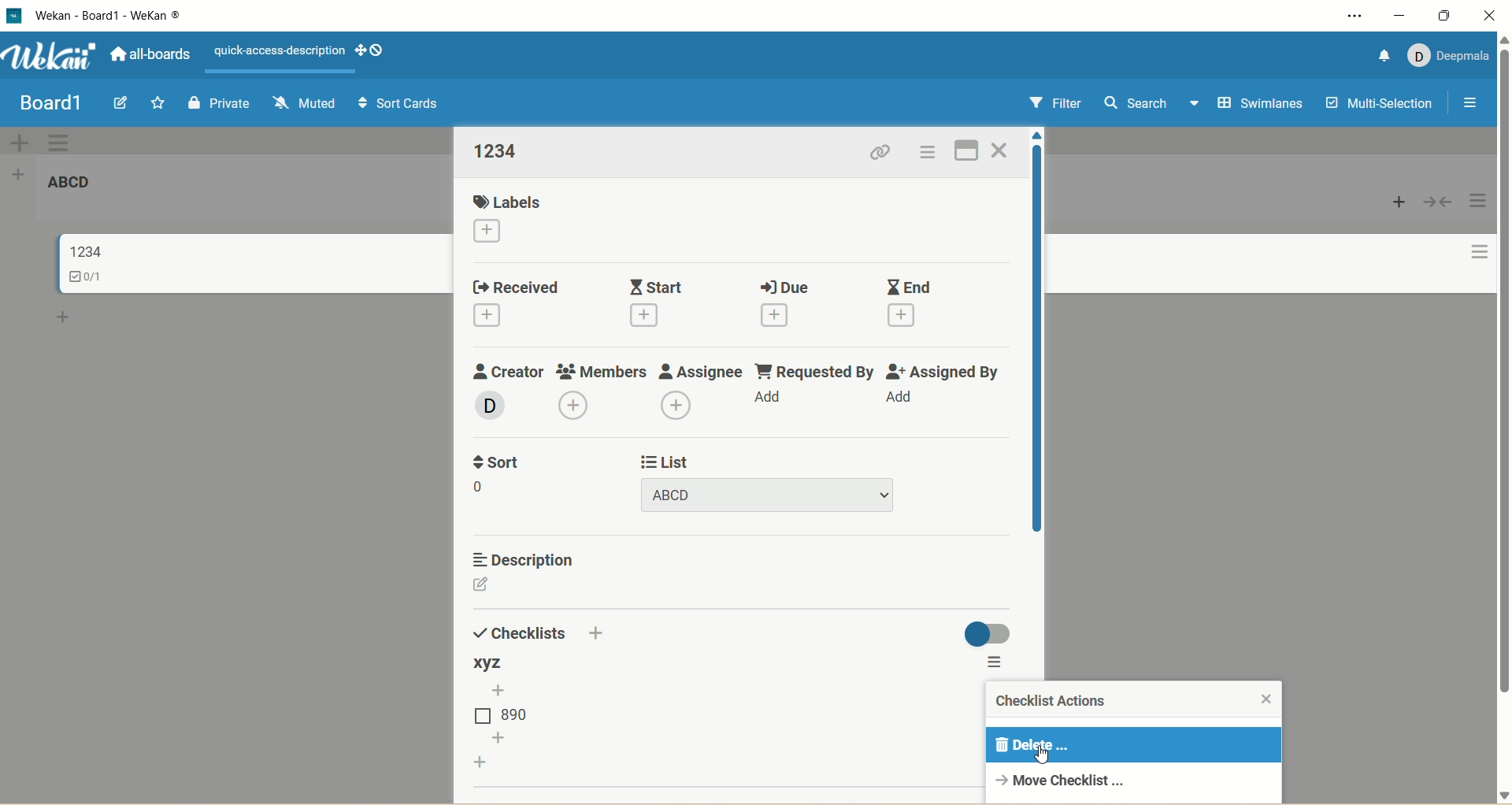 This screenshot has width=1512, height=805. I want to click on favorite, so click(159, 102).